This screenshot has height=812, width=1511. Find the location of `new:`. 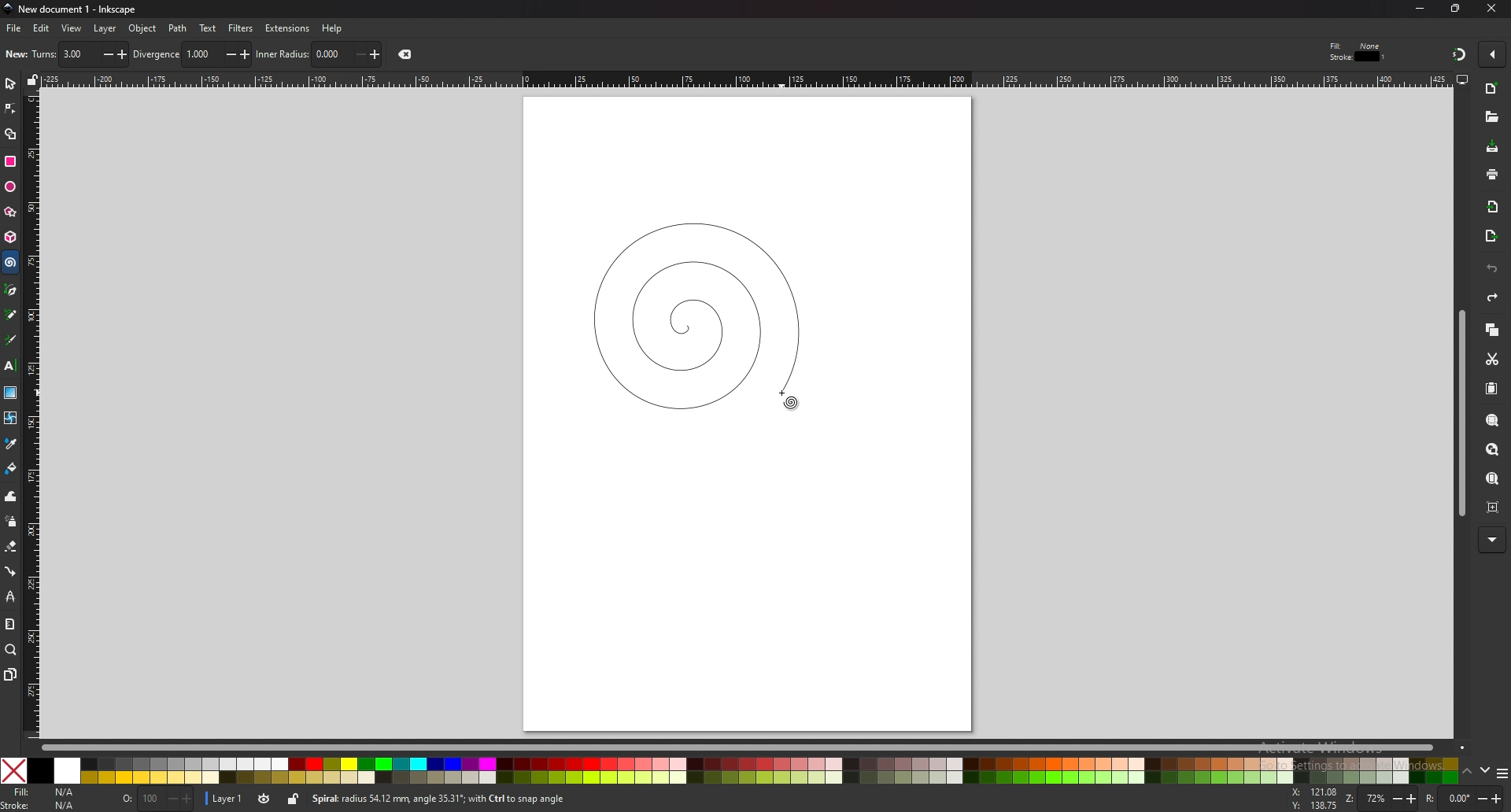

new: is located at coordinates (17, 54).